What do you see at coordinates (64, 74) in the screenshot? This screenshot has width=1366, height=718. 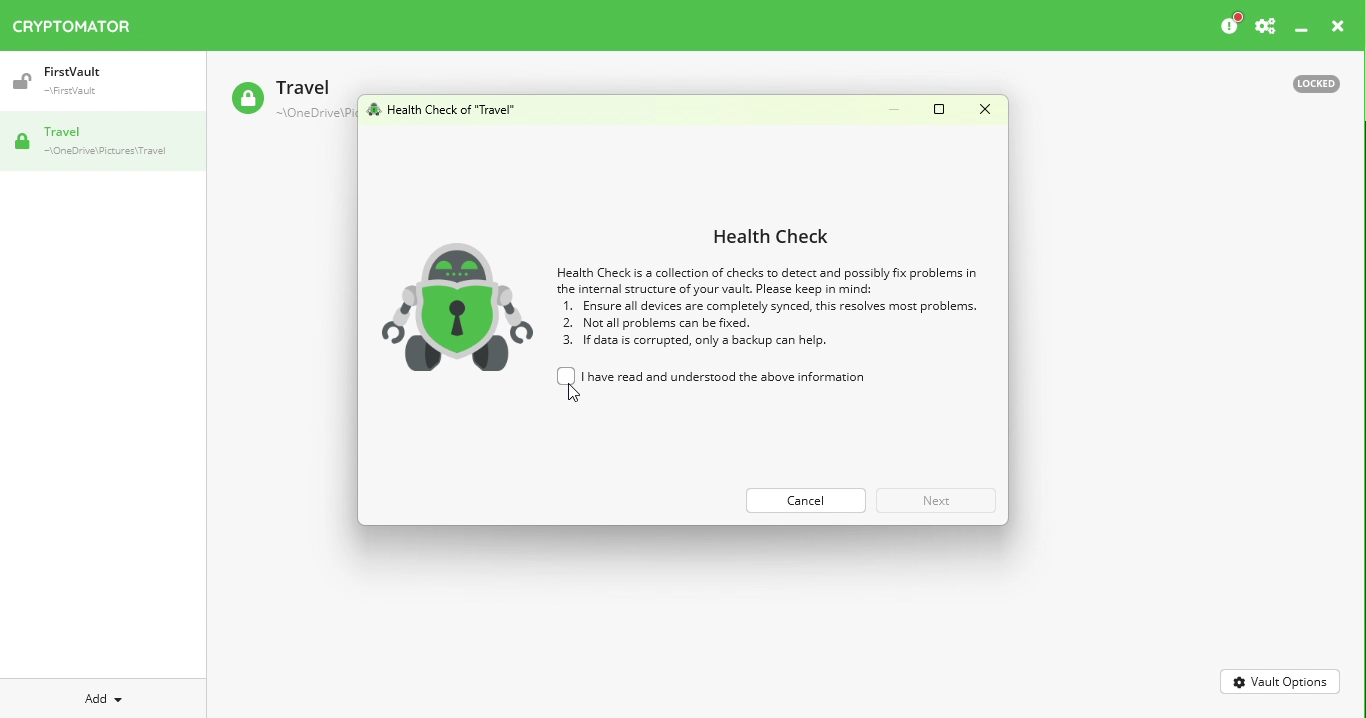 I see `Vault` at bounding box center [64, 74].